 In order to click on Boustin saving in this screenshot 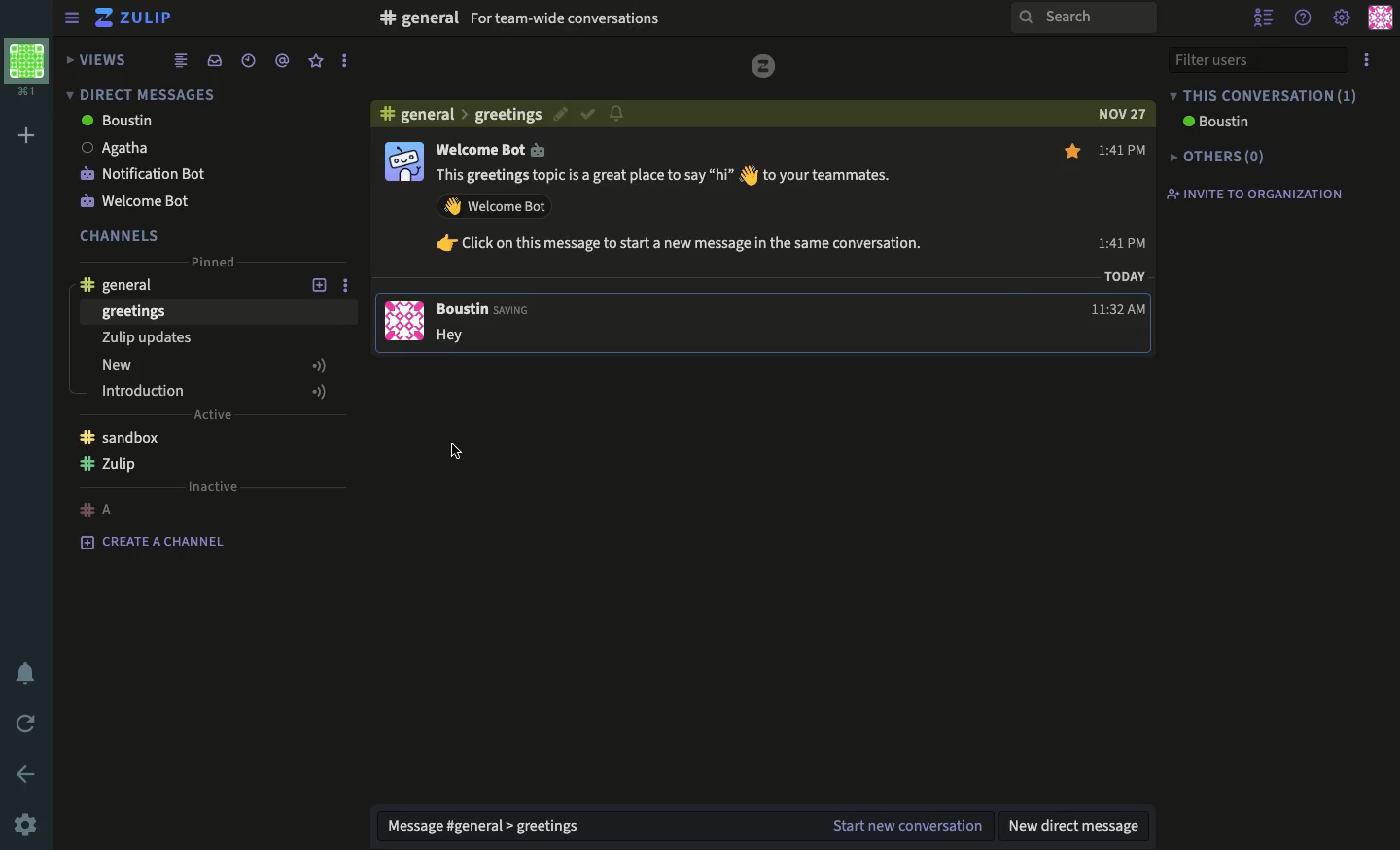, I will do `click(486, 309)`.